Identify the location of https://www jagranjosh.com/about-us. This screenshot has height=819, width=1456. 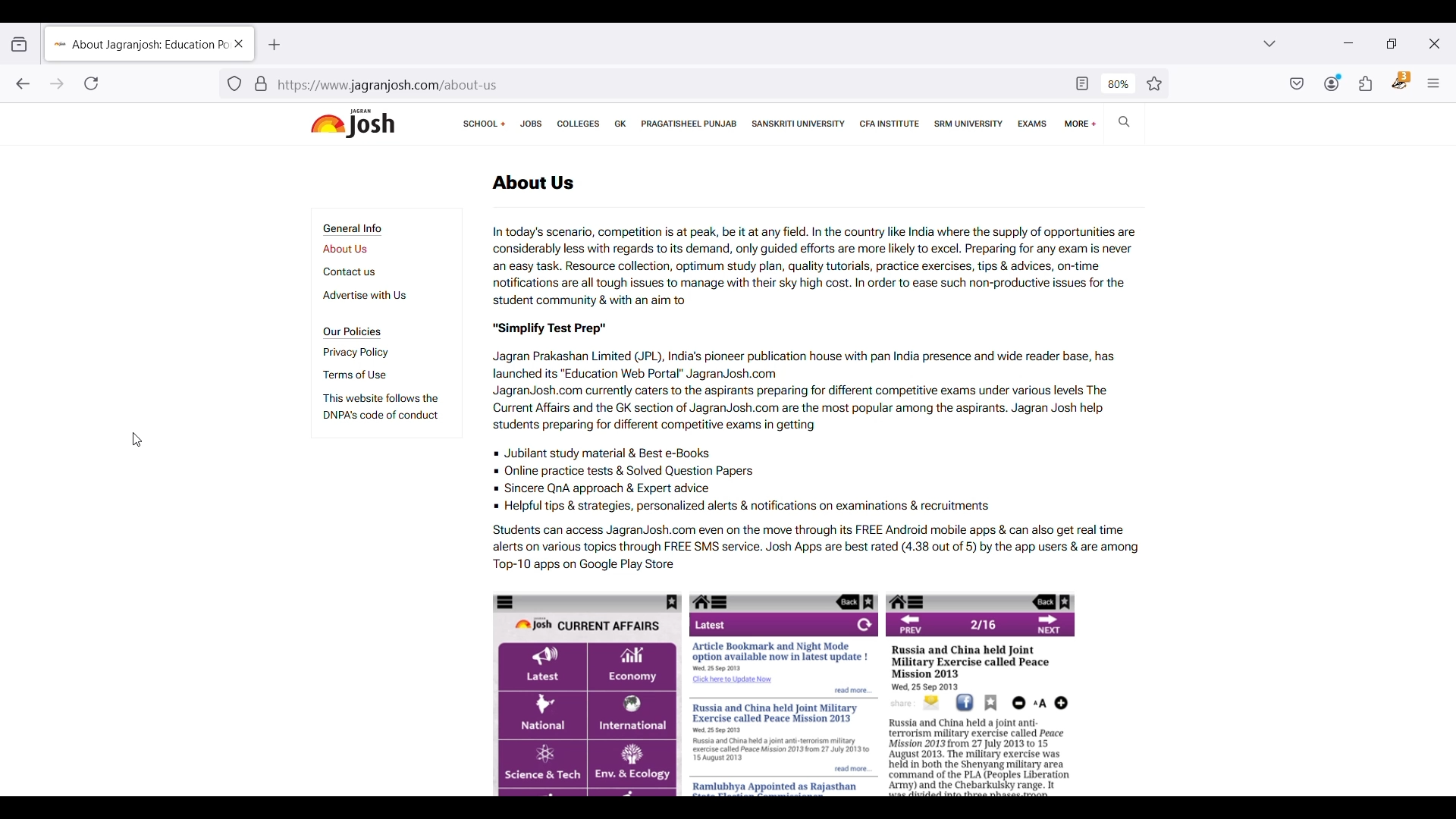
(659, 82).